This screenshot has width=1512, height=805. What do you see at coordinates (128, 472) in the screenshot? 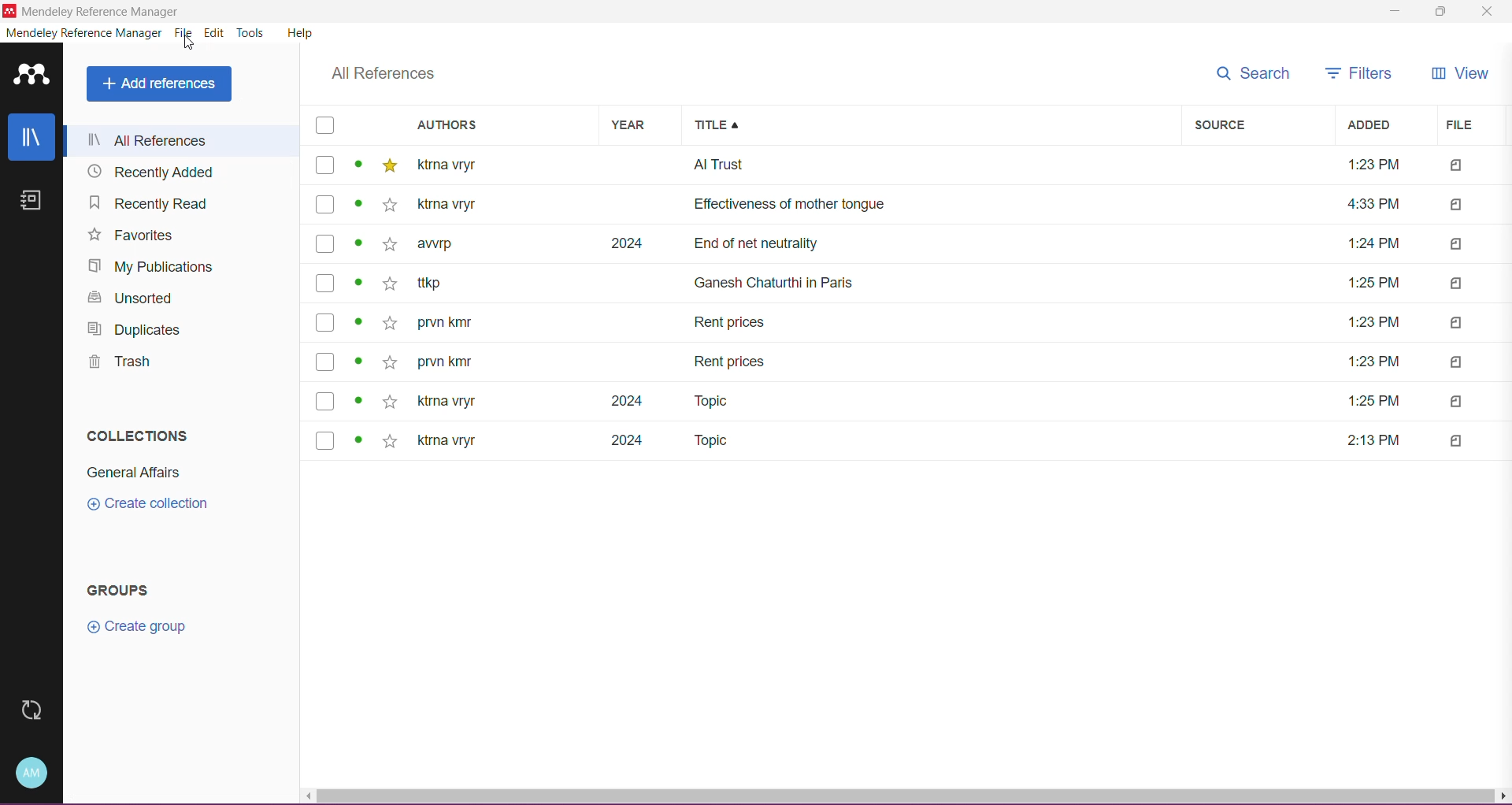
I see `Collection Name` at bounding box center [128, 472].